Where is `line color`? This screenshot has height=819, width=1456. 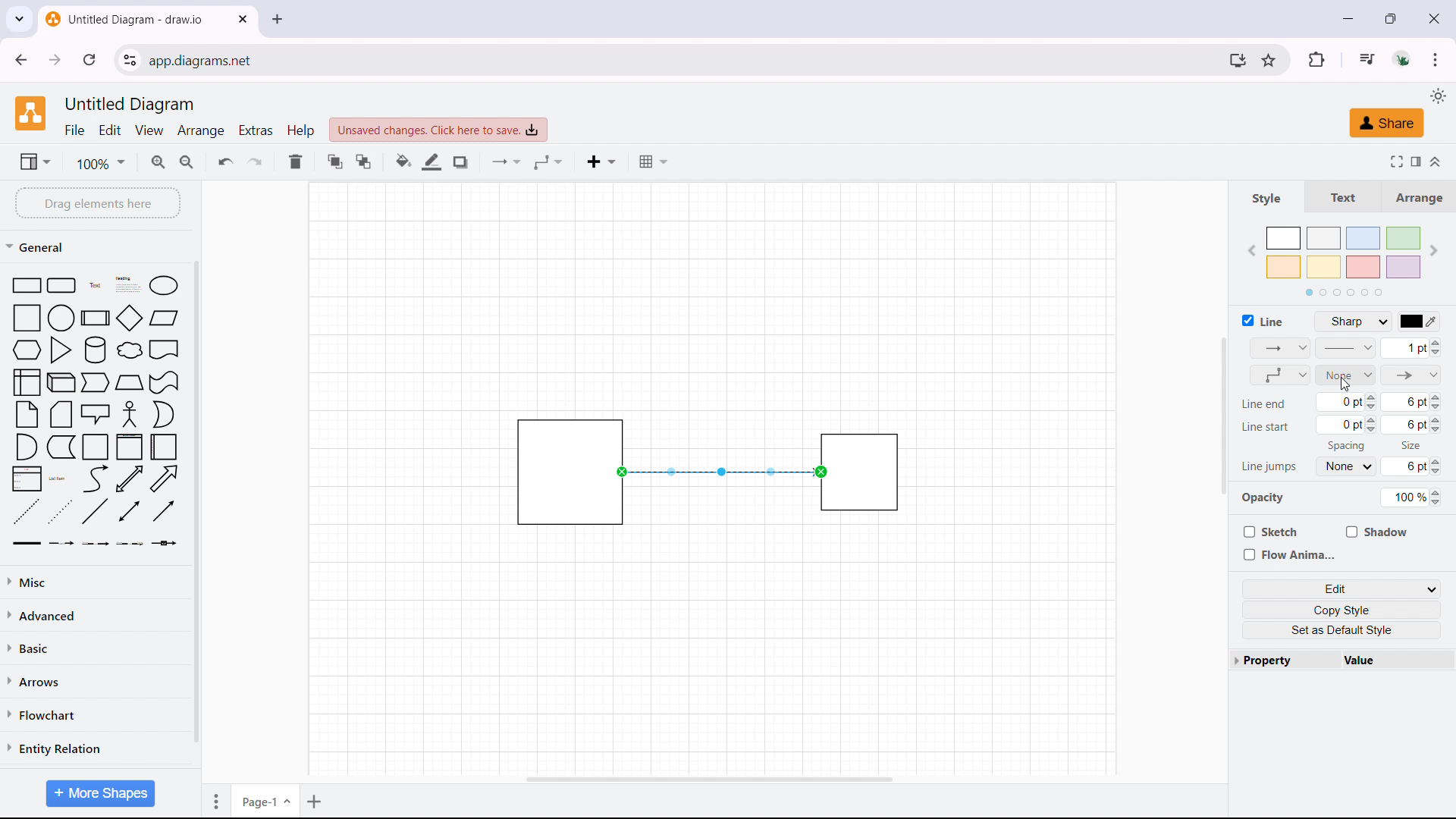
line color is located at coordinates (432, 162).